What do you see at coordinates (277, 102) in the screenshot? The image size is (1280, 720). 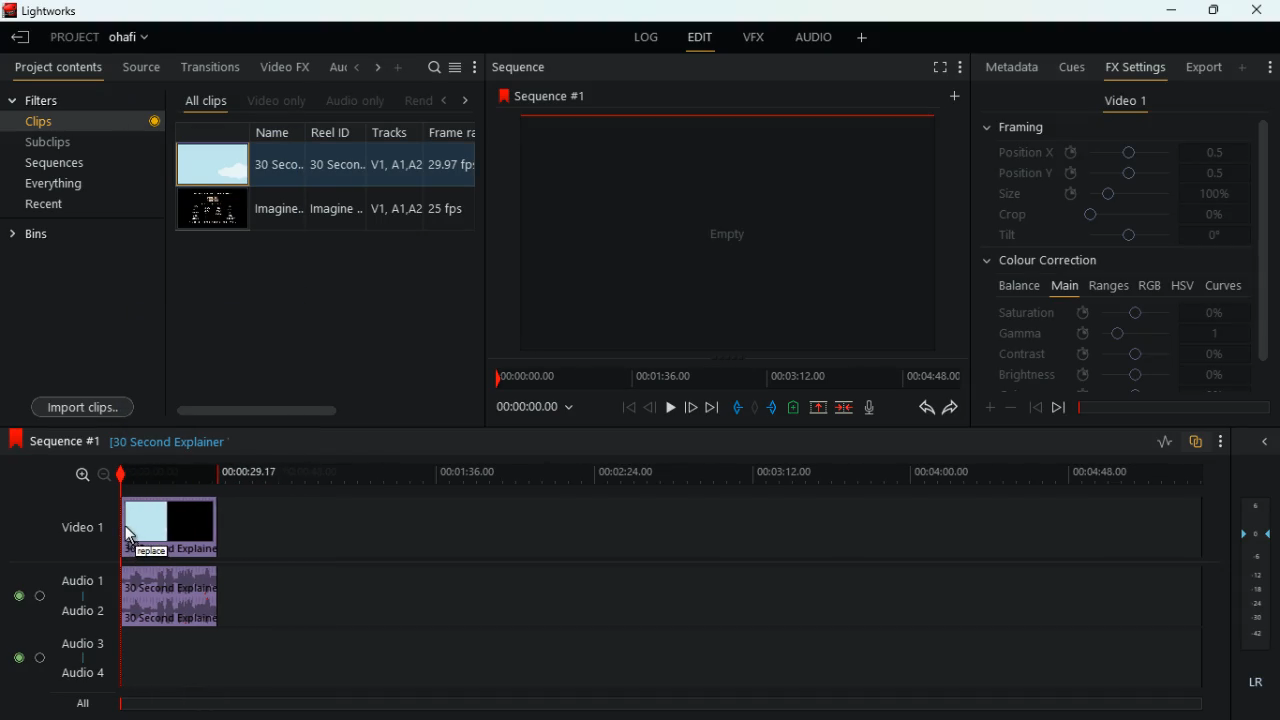 I see `video only` at bounding box center [277, 102].